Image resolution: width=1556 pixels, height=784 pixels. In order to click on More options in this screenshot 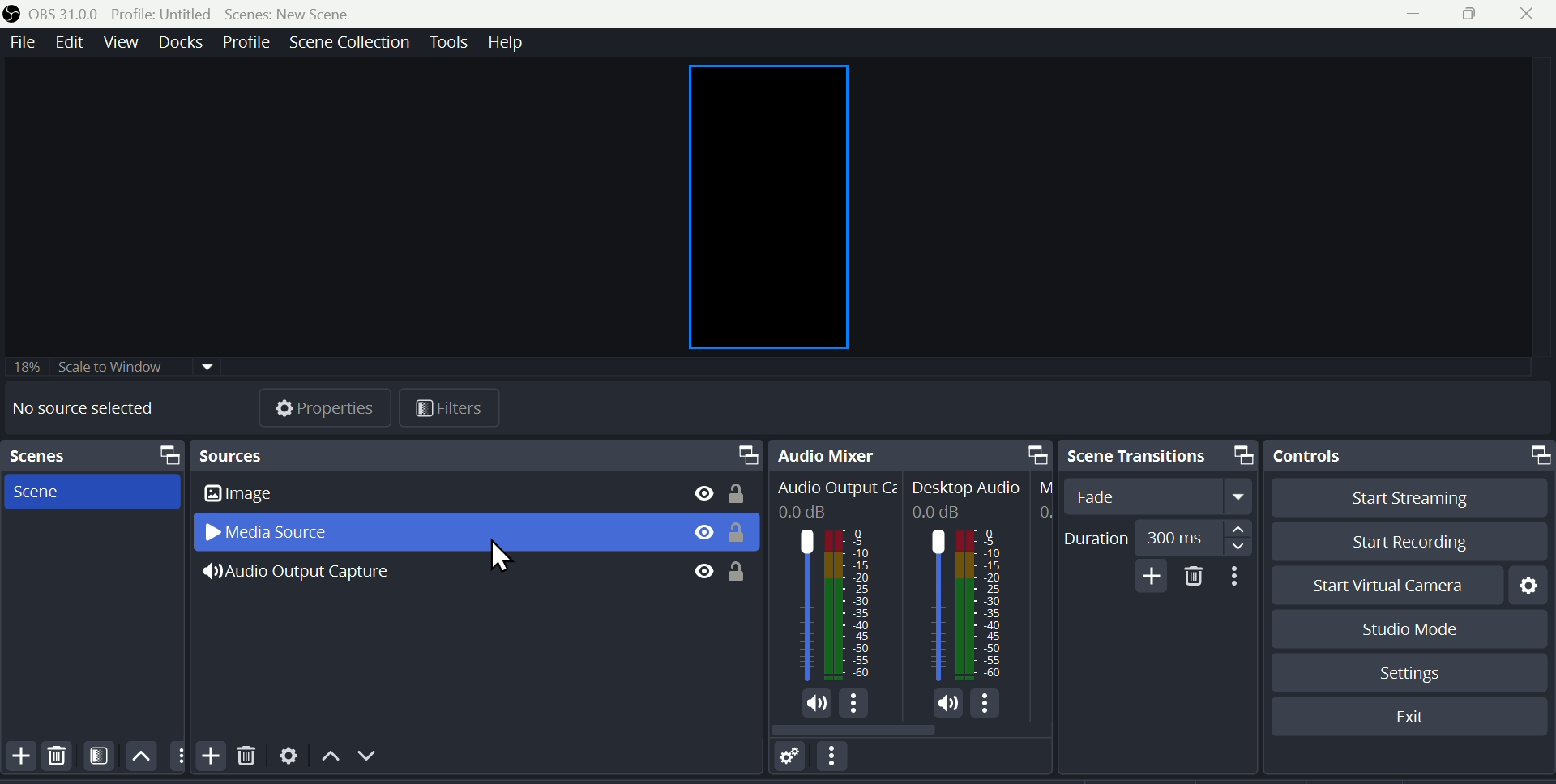, I will do `click(837, 761)`.